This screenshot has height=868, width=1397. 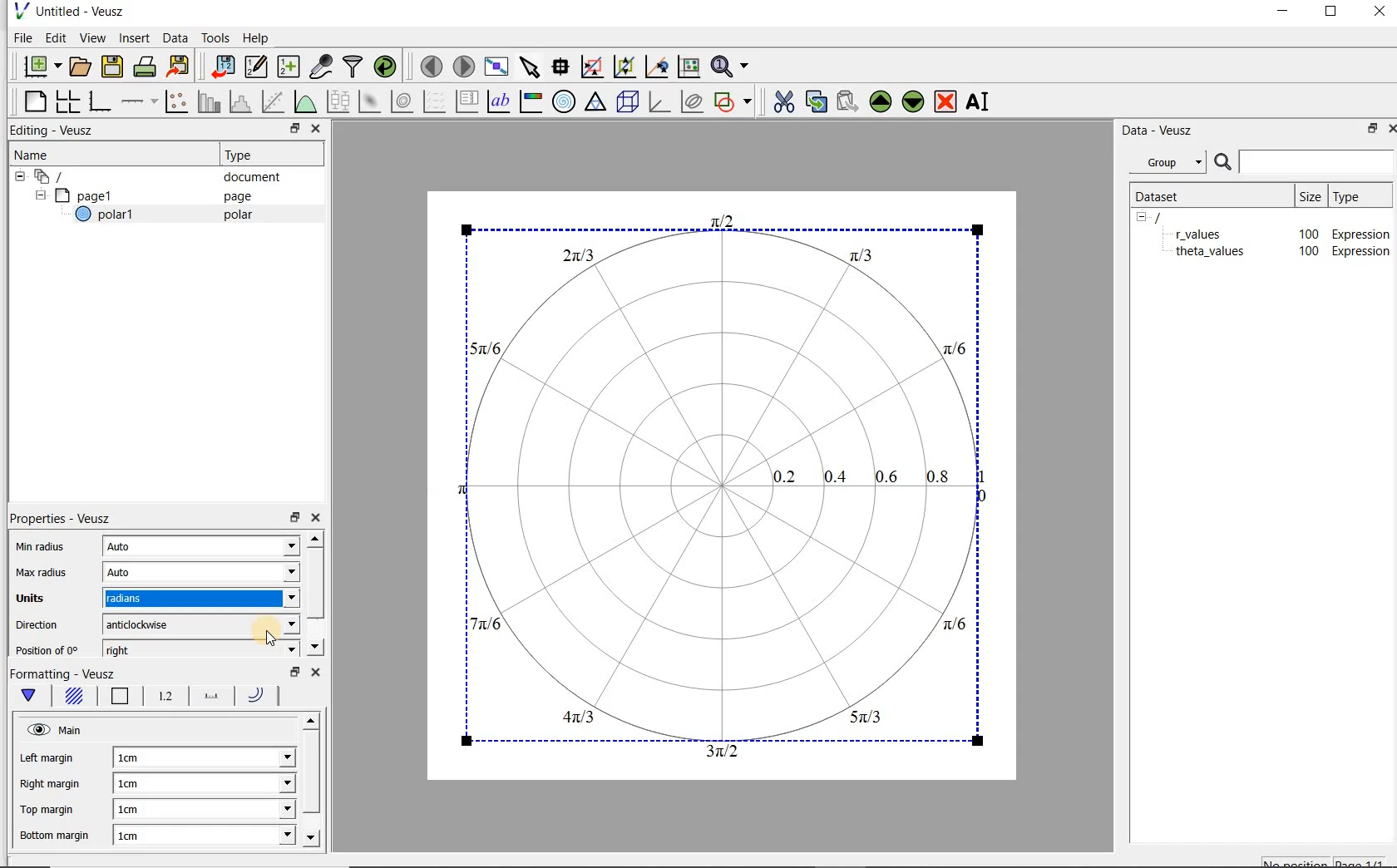 What do you see at coordinates (55, 37) in the screenshot?
I see `Edit` at bounding box center [55, 37].